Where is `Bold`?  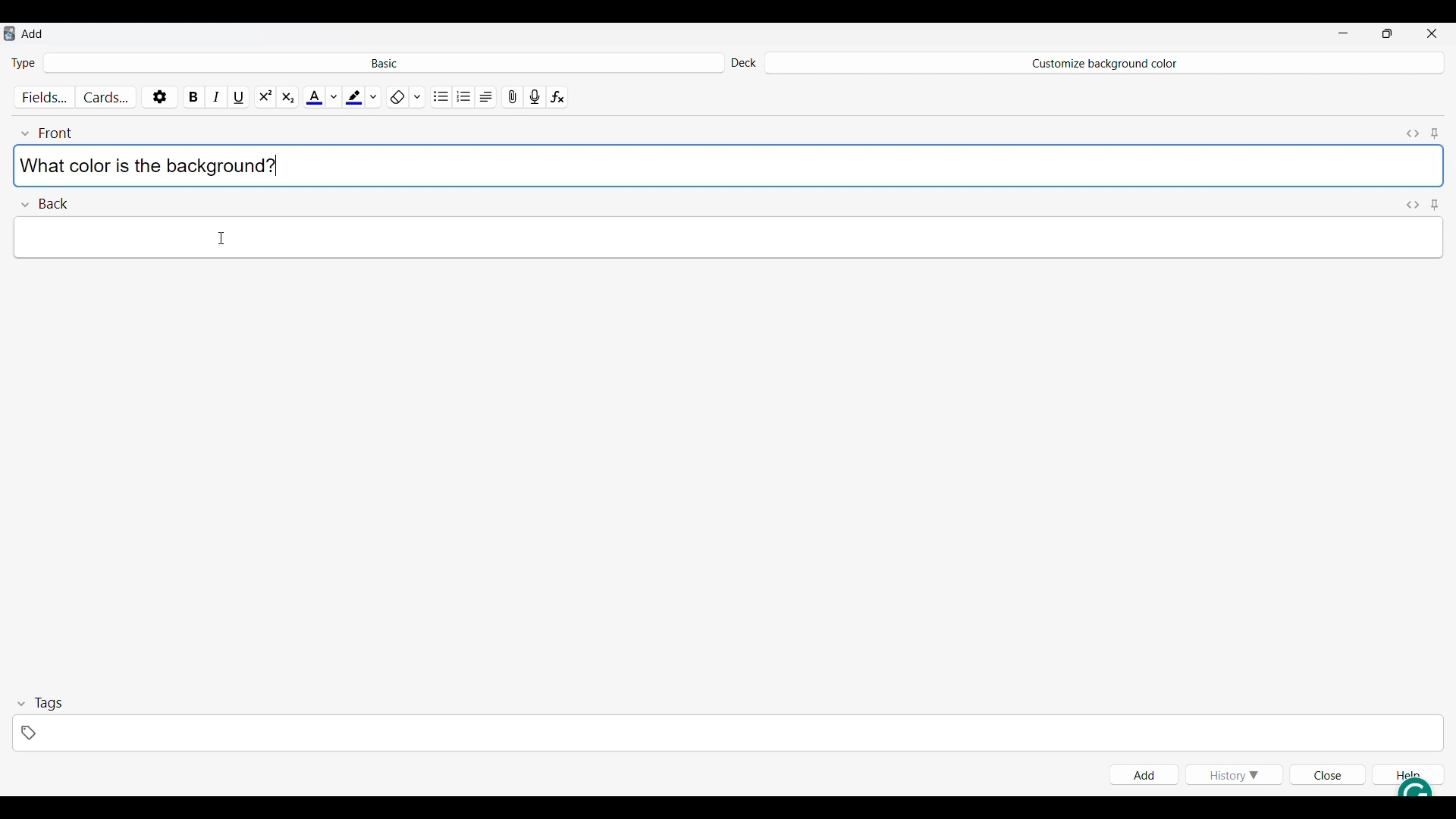 Bold is located at coordinates (194, 94).